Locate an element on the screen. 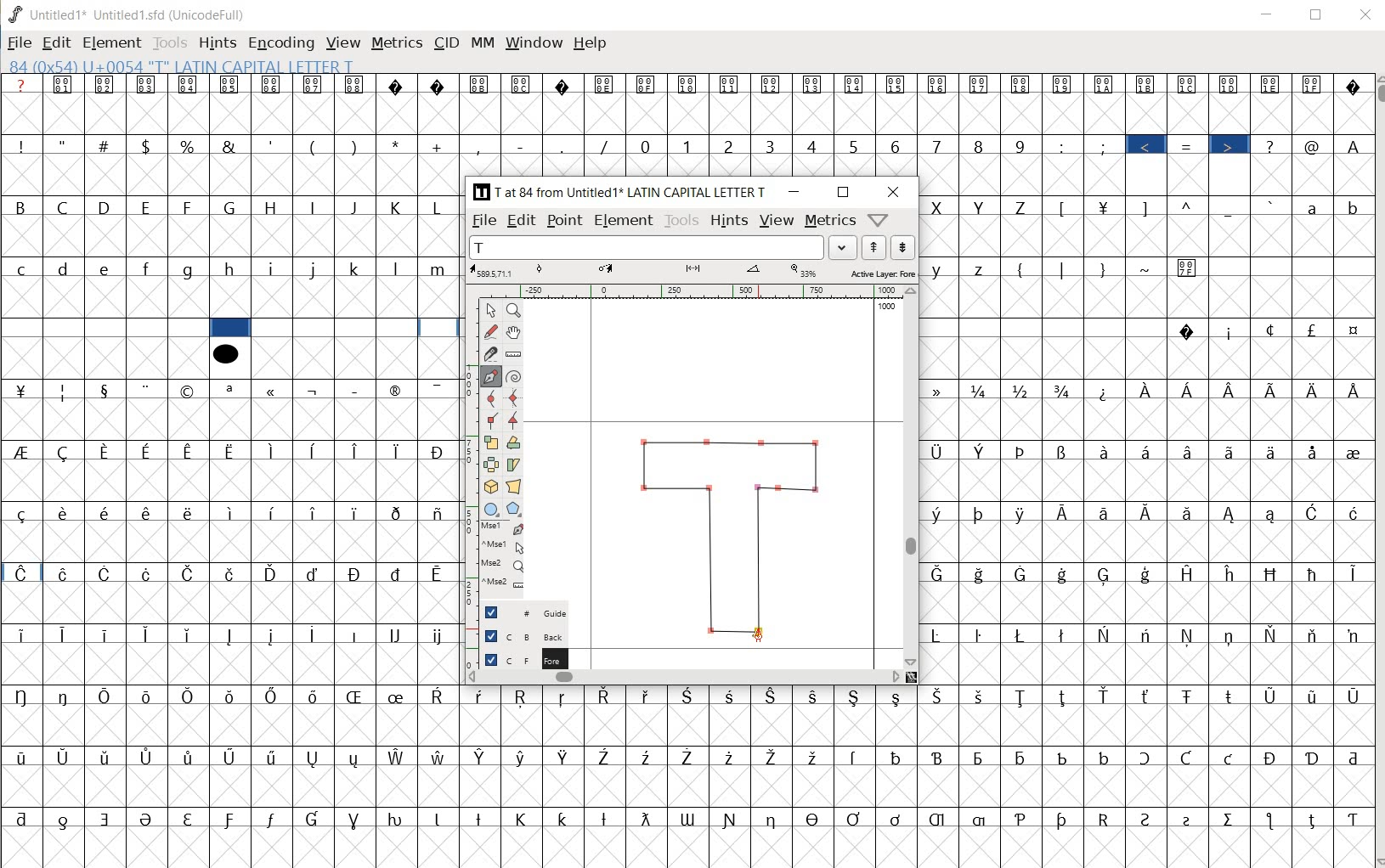 The image size is (1385, 868). Symbol is located at coordinates (399, 817).